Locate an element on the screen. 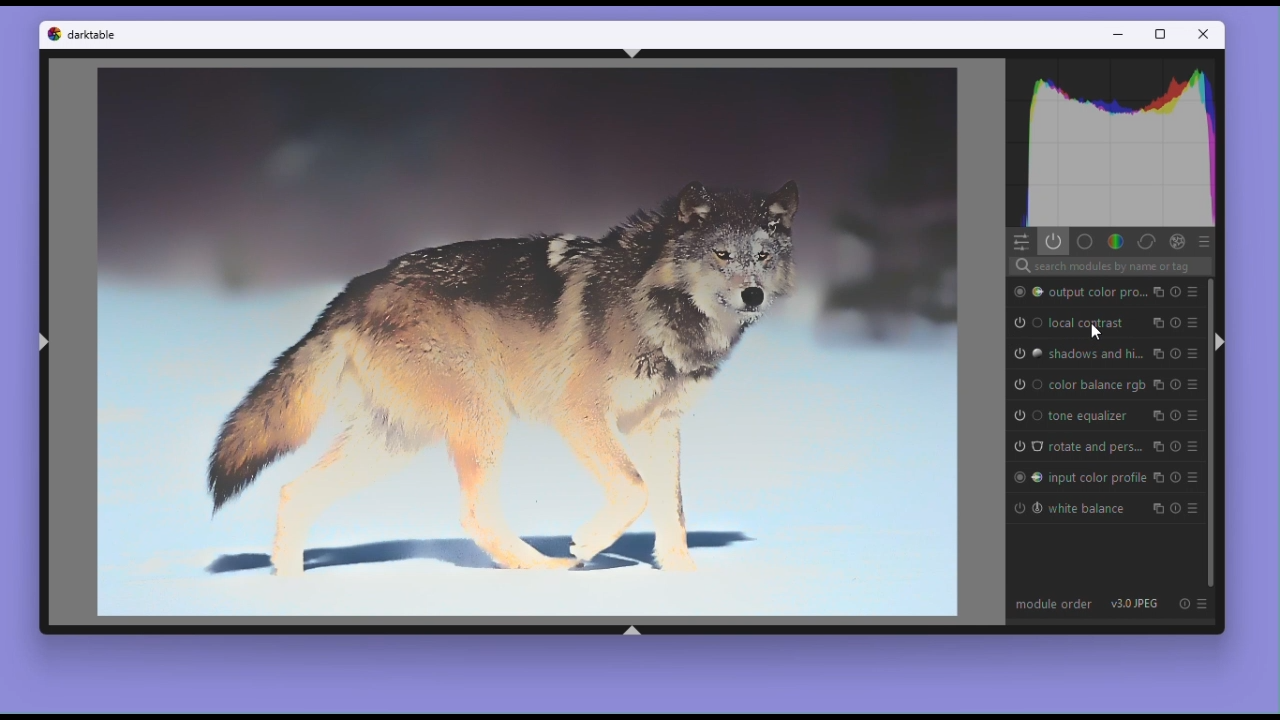 This screenshot has width=1280, height=720. Input color profile is located at coordinates (1098, 477).